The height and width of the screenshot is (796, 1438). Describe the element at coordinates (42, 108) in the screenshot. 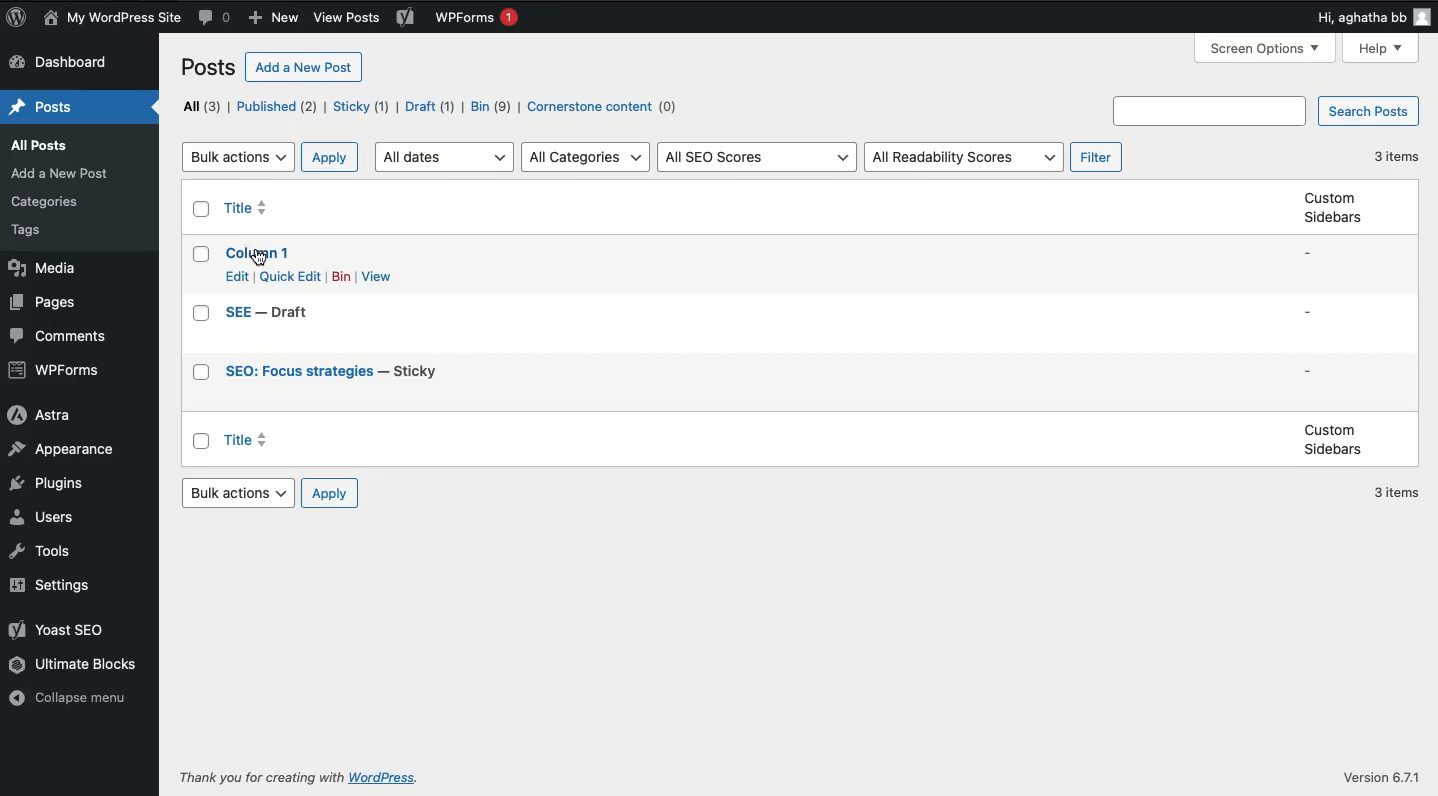

I see `Posts` at that location.